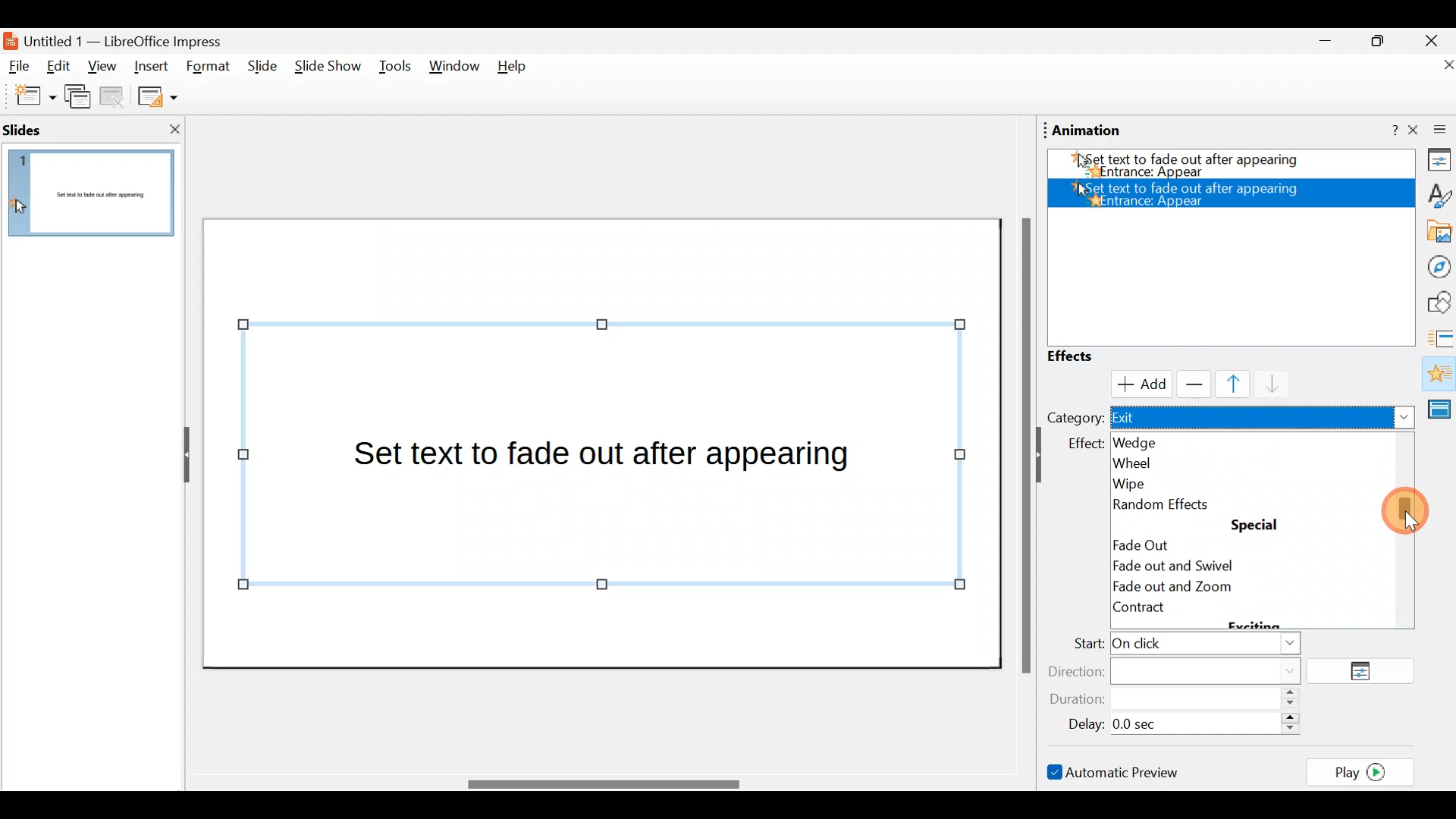  Describe the element at coordinates (1432, 39) in the screenshot. I see `Close` at that location.